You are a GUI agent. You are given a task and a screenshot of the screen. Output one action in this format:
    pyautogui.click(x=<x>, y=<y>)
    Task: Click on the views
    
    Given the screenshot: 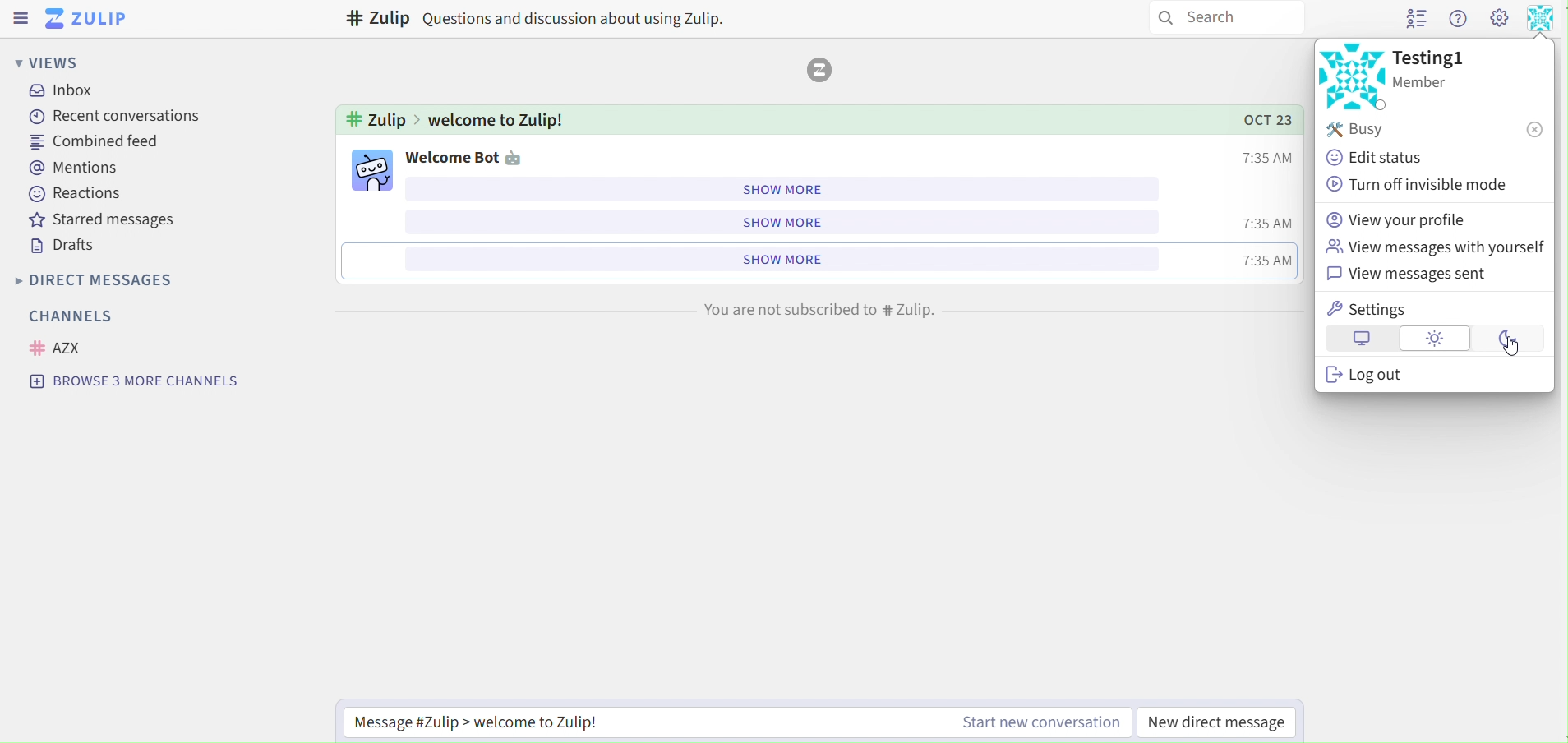 What is the action you would take?
    pyautogui.click(x=46, y=62)
    